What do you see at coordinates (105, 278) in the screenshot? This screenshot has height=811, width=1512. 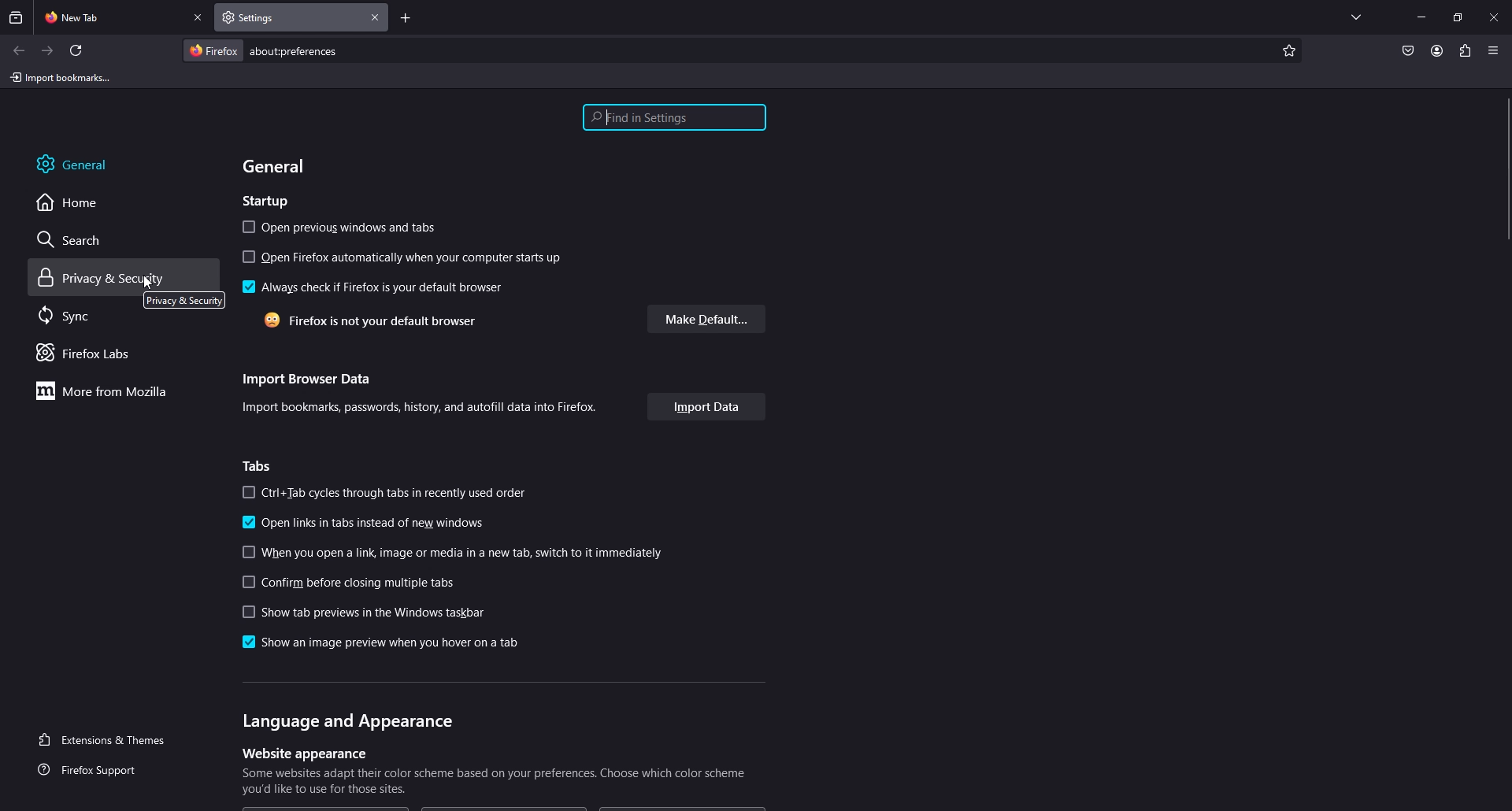 I see `privacy and security` at bounding box center [105, 278].